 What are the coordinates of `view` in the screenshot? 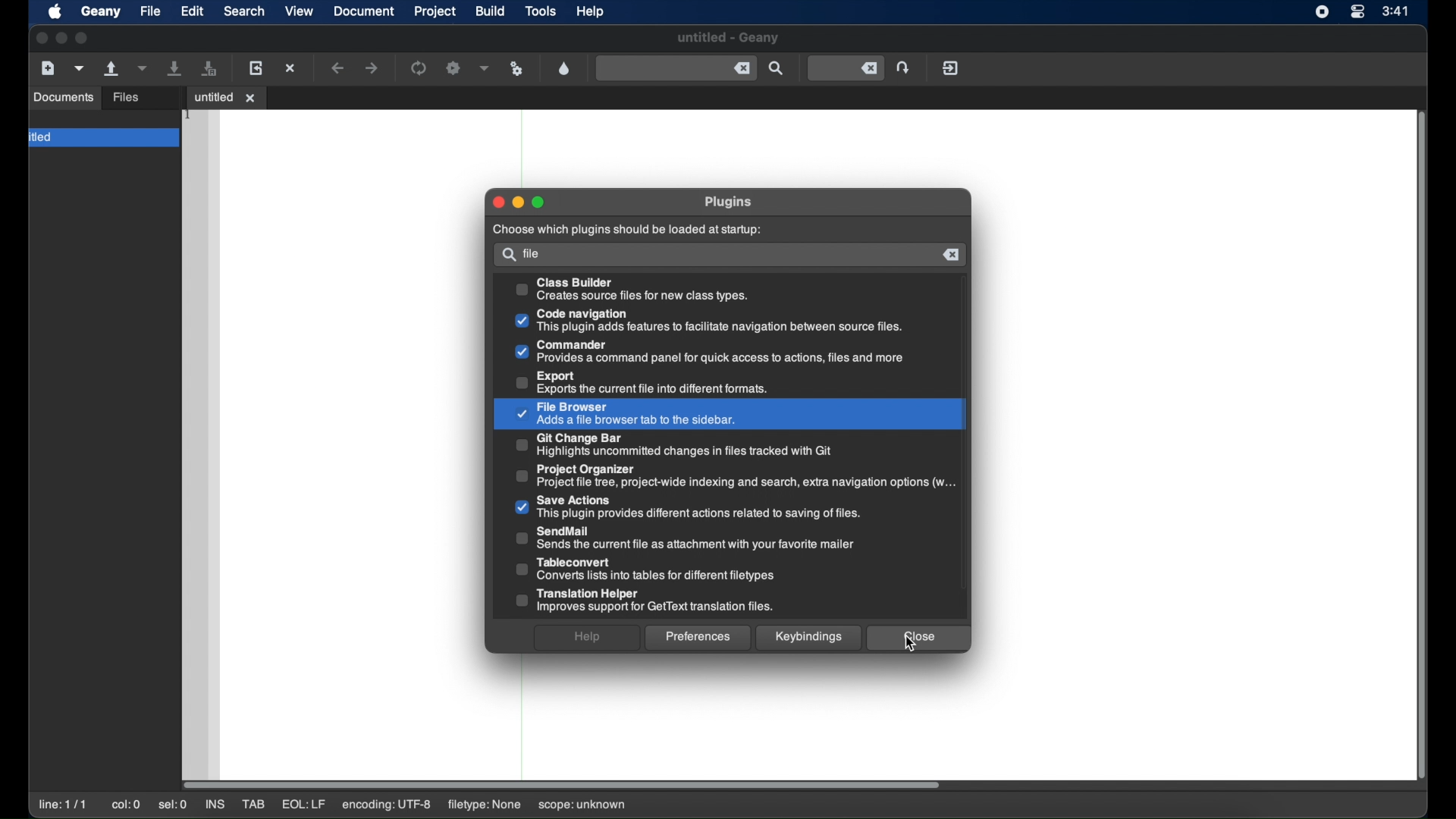 It's located at (300, 11).